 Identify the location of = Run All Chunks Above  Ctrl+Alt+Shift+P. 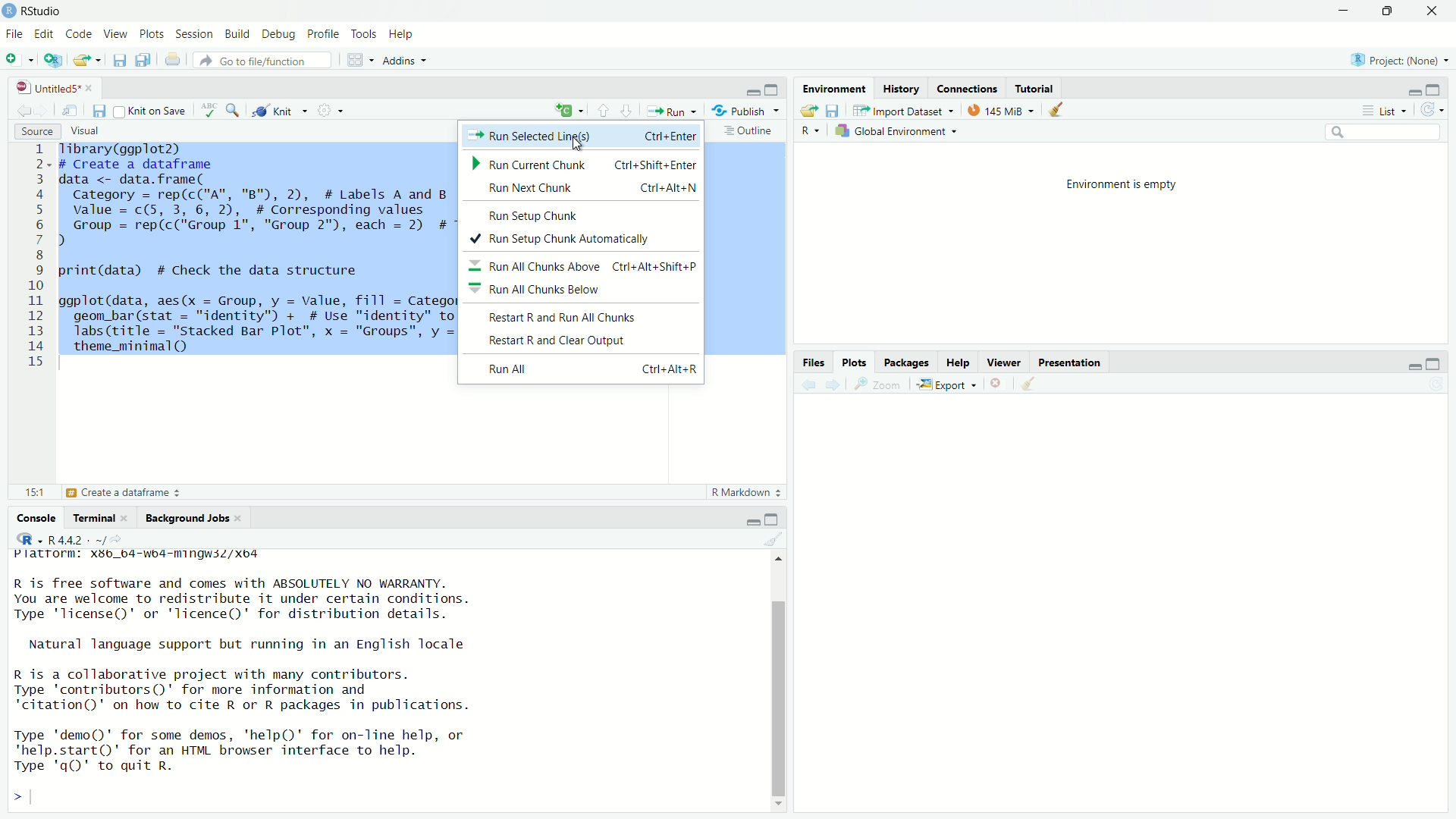
(584, 266).